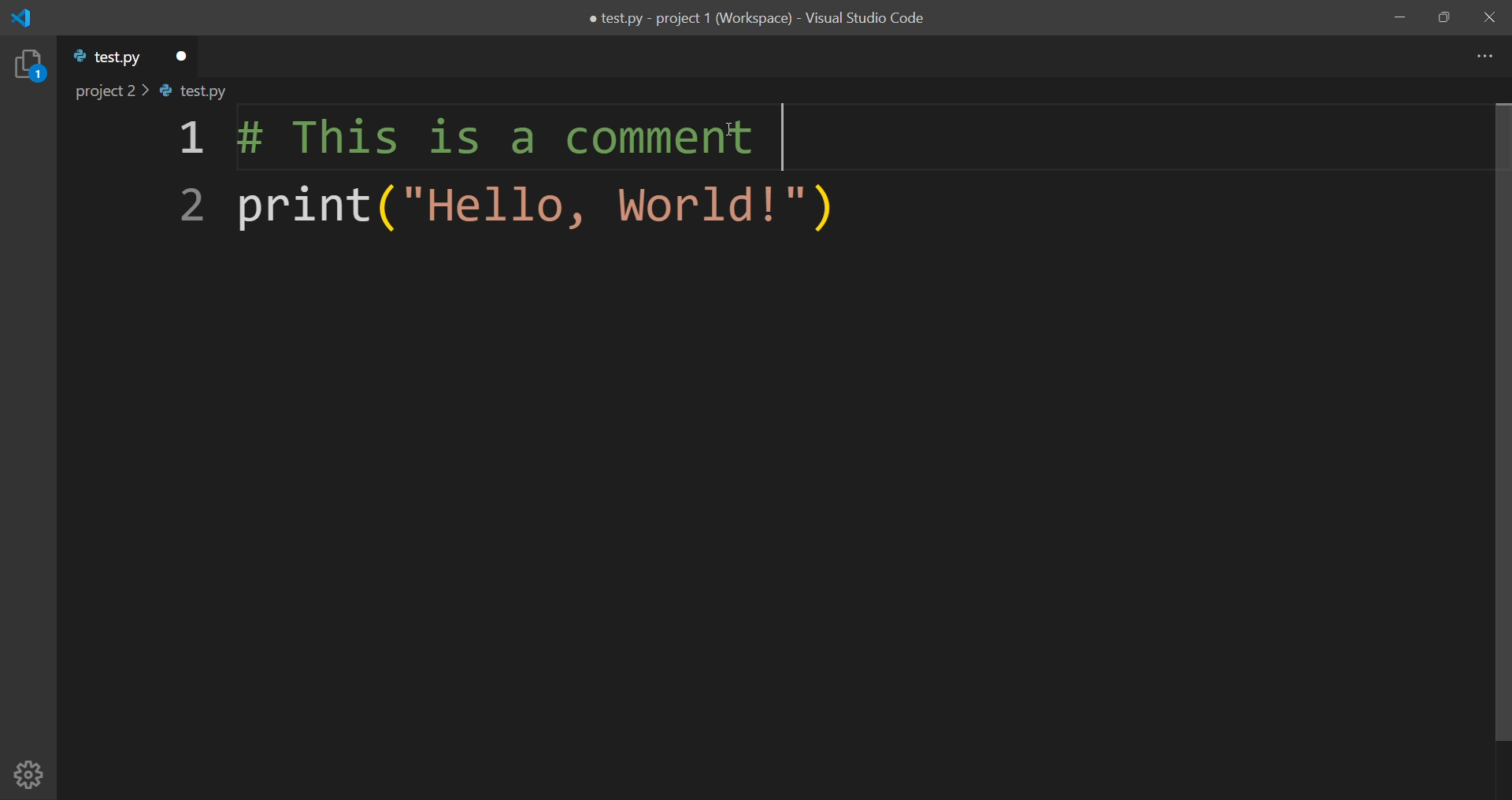 The height and width of the screenshot is (800, 1512). Describe the element at coordinates (1398, 17) in the screenshot. I see `minimize` at that location.